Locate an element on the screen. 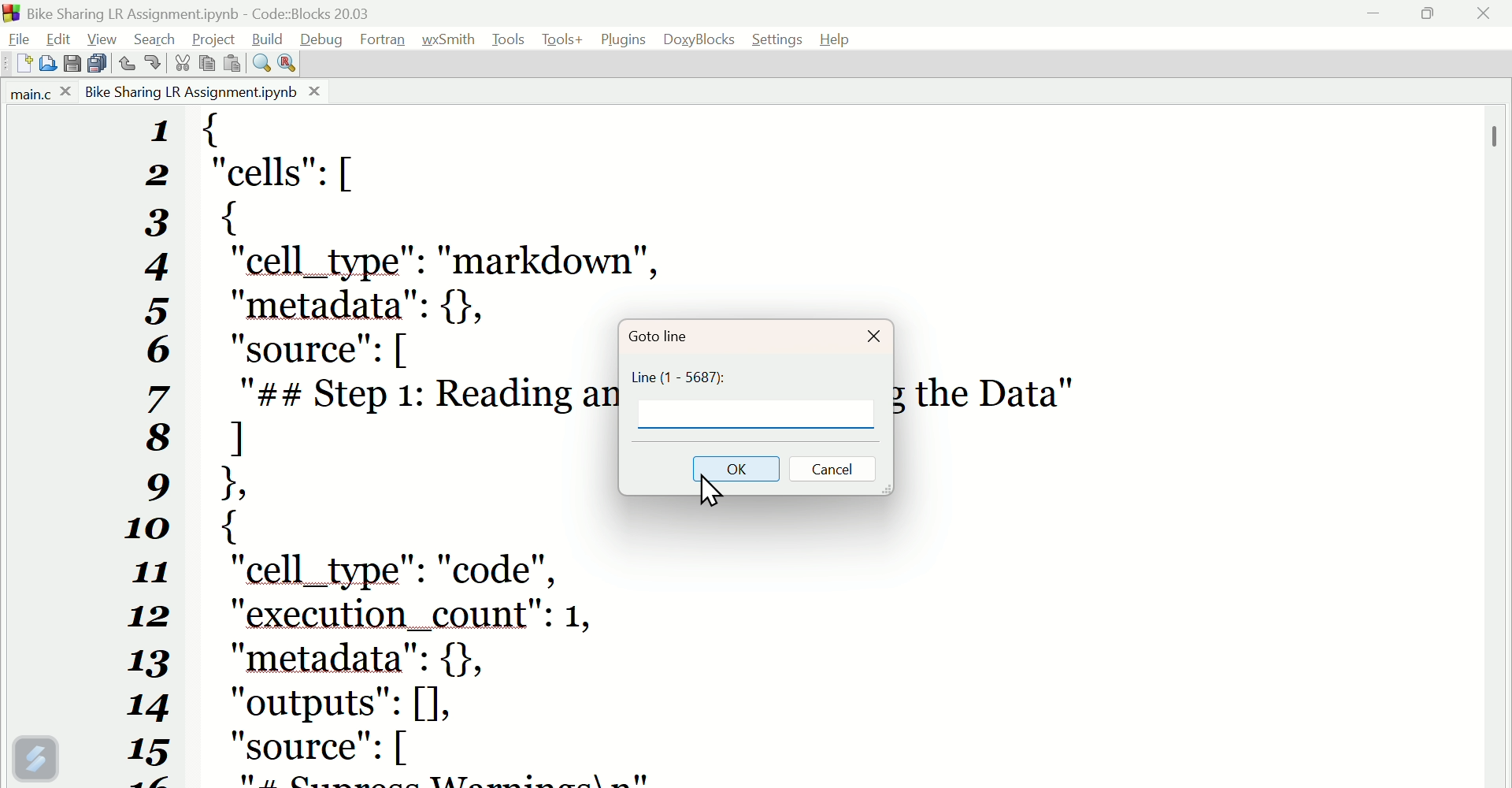 This screenshot has height=788, width=1512. Plugins  is located at coordinates (622, 39).